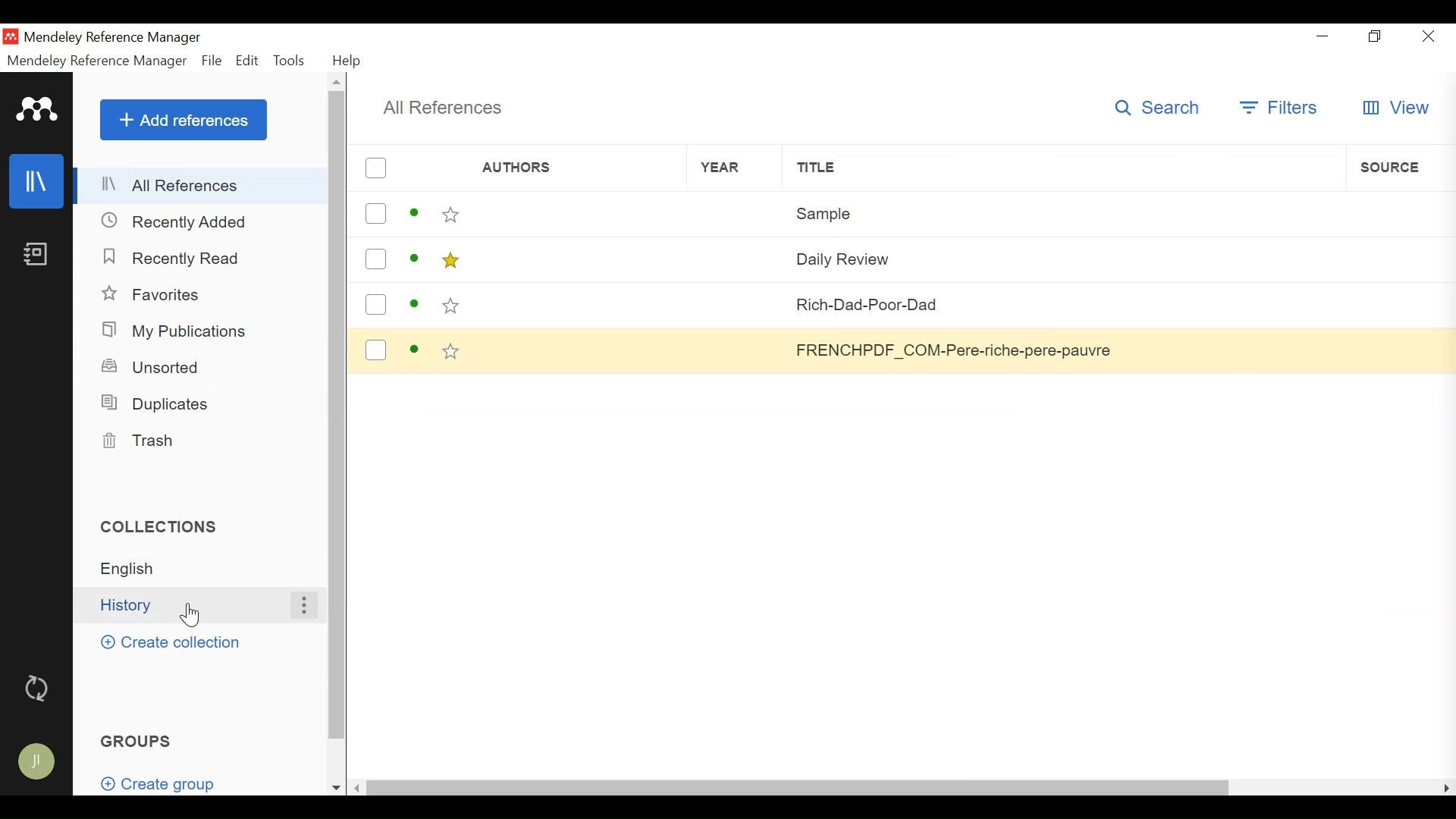 The width and height of the screenshot is (1456, 819). I want to click on library, so click(37, 182).